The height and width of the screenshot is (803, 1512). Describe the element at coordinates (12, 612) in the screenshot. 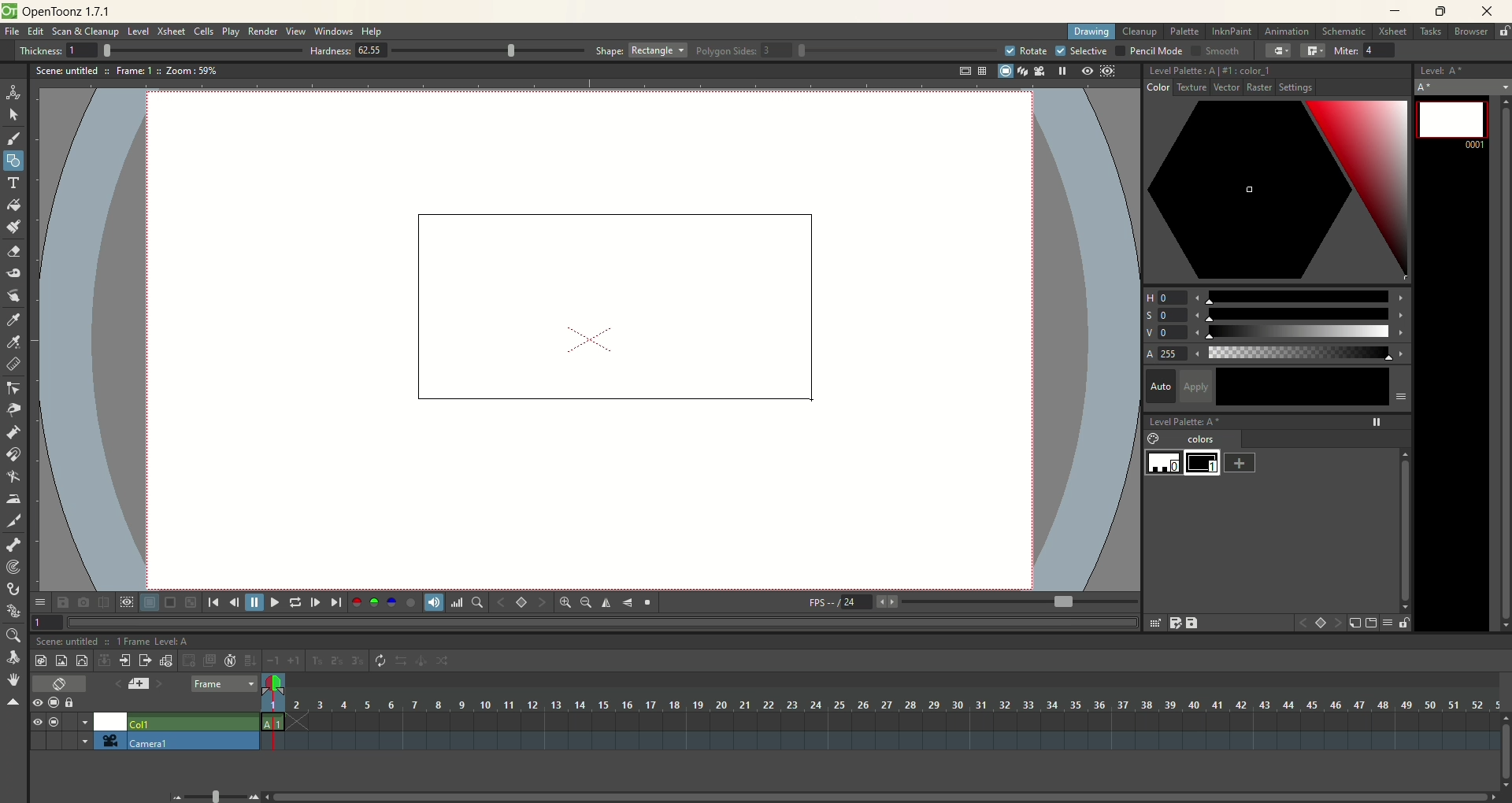

I see `plastic` at that location.